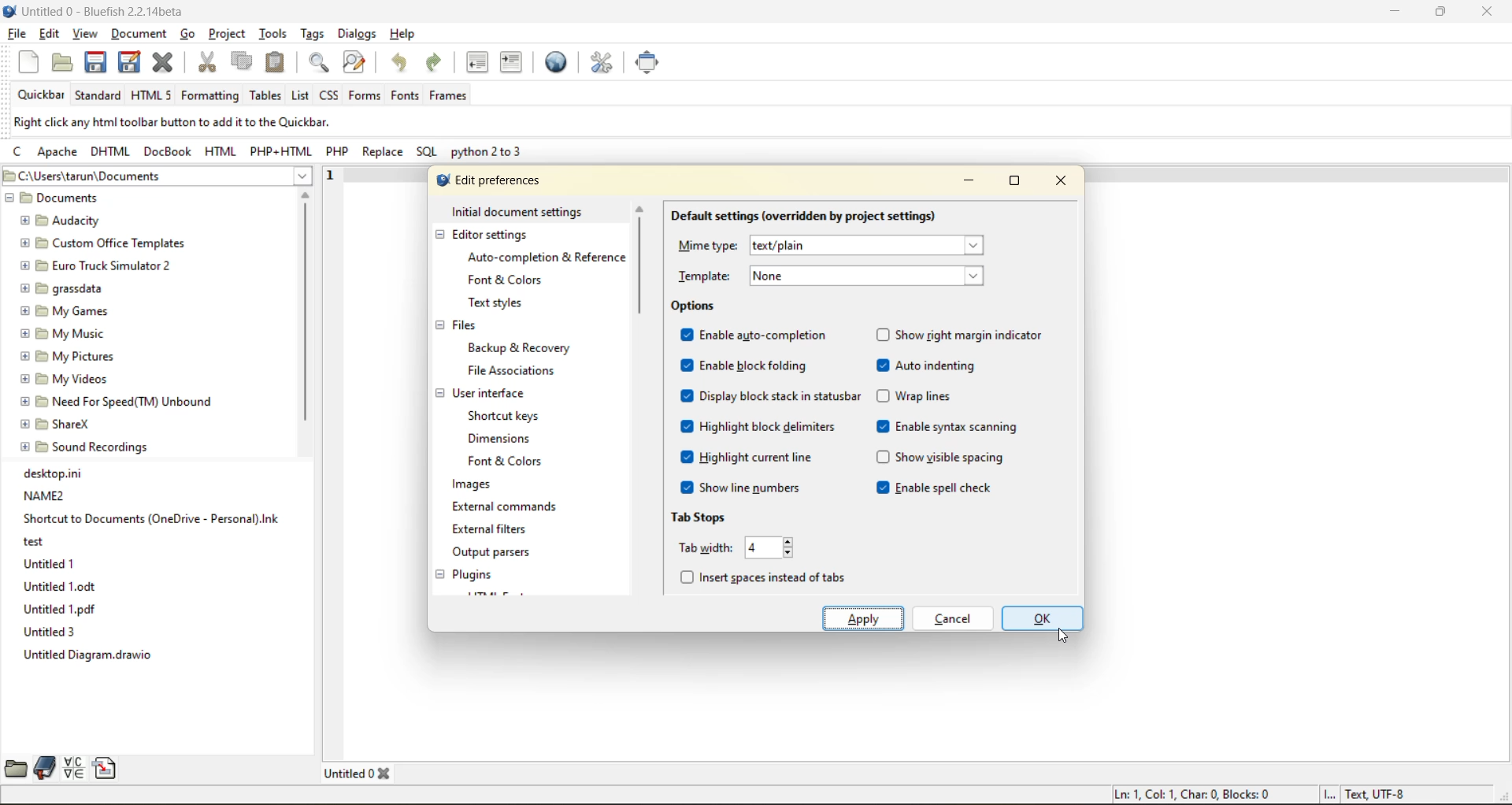 The width and height of the screenshot is (1512, 805). Describe the element at coordinates (489, 179) in the screenshot. I see `edit preferences` at that location.